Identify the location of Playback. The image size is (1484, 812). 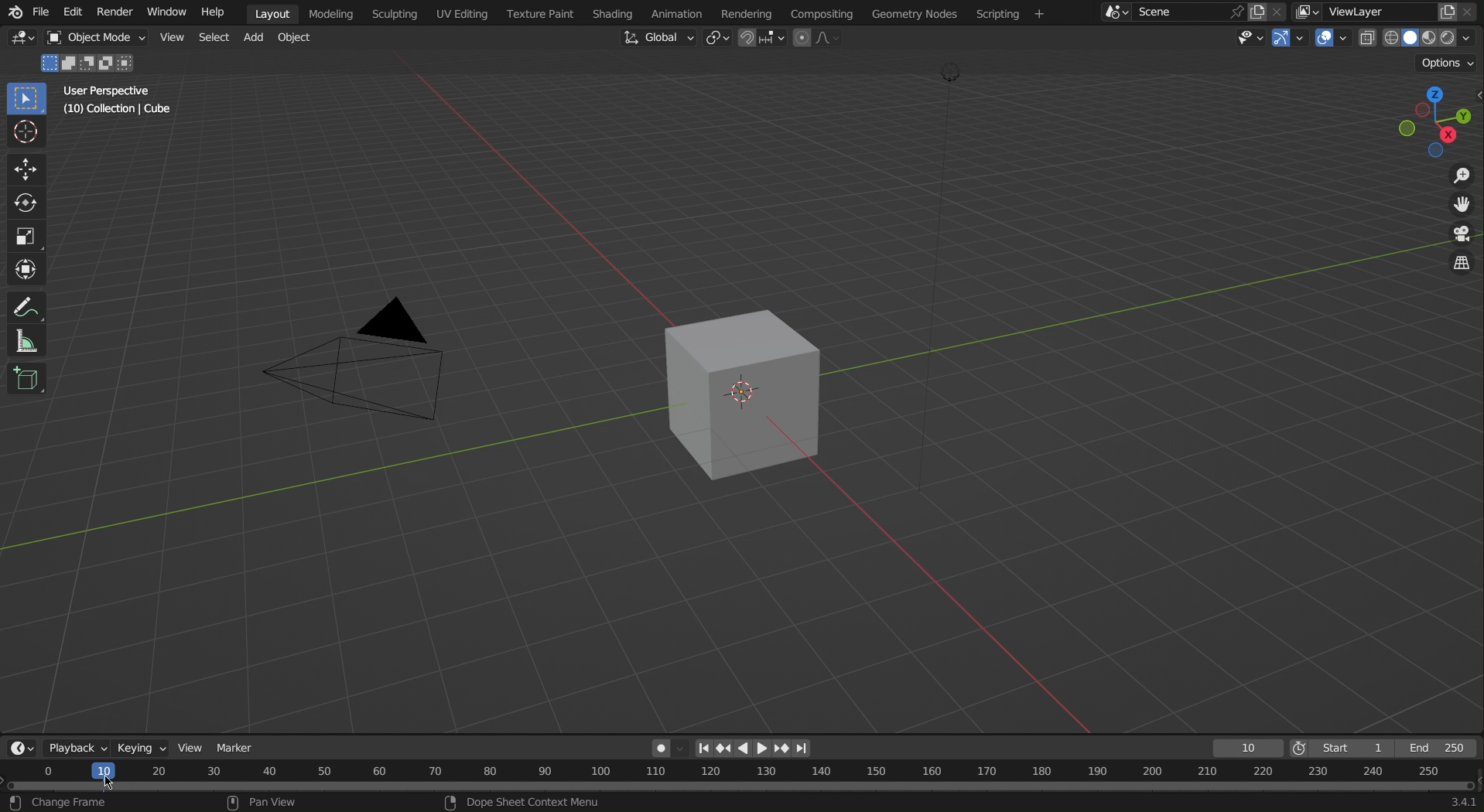
(74, 748).